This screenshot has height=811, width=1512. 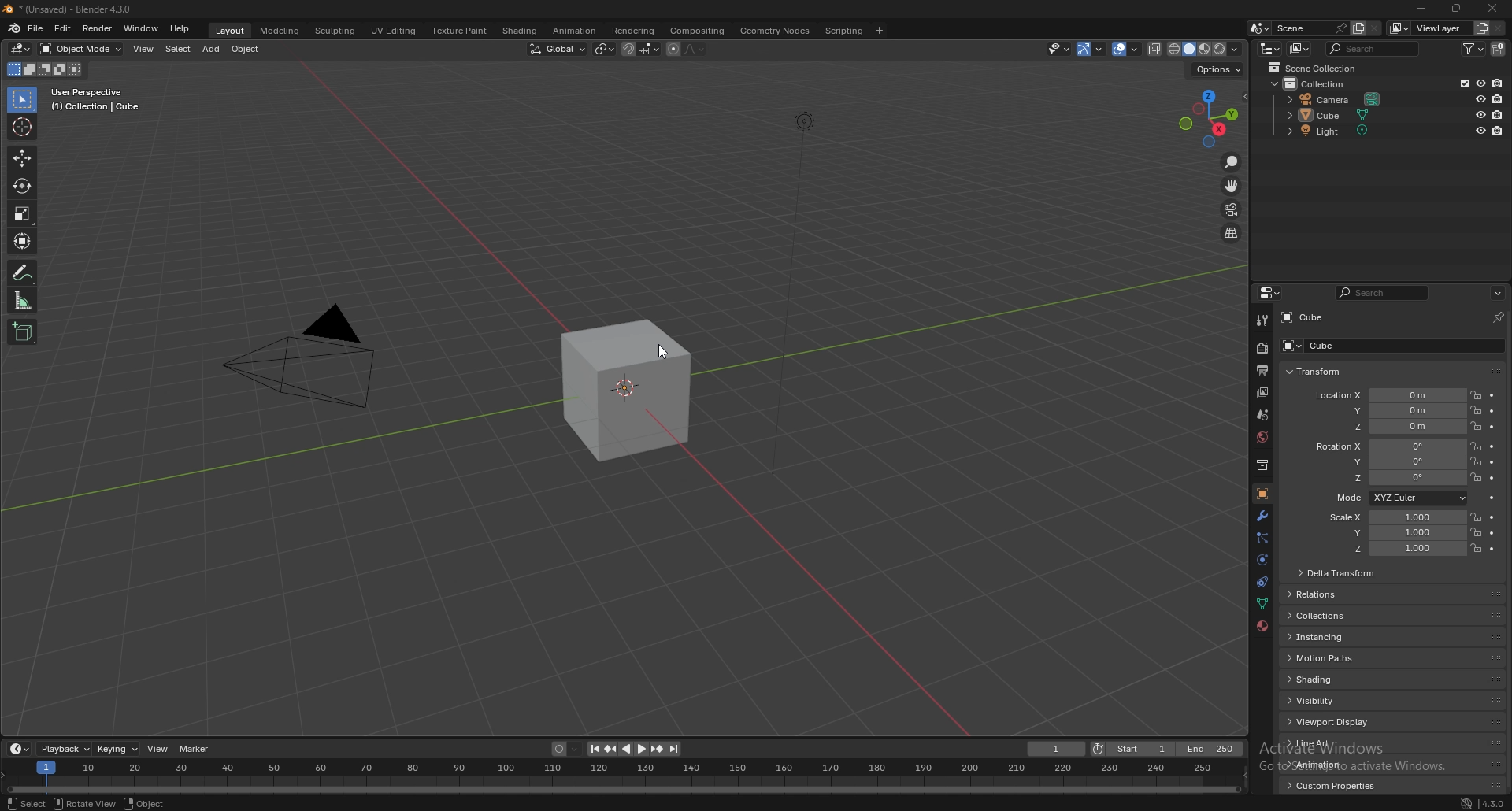 I want to click on user perspective, so click(x=98, y=98).